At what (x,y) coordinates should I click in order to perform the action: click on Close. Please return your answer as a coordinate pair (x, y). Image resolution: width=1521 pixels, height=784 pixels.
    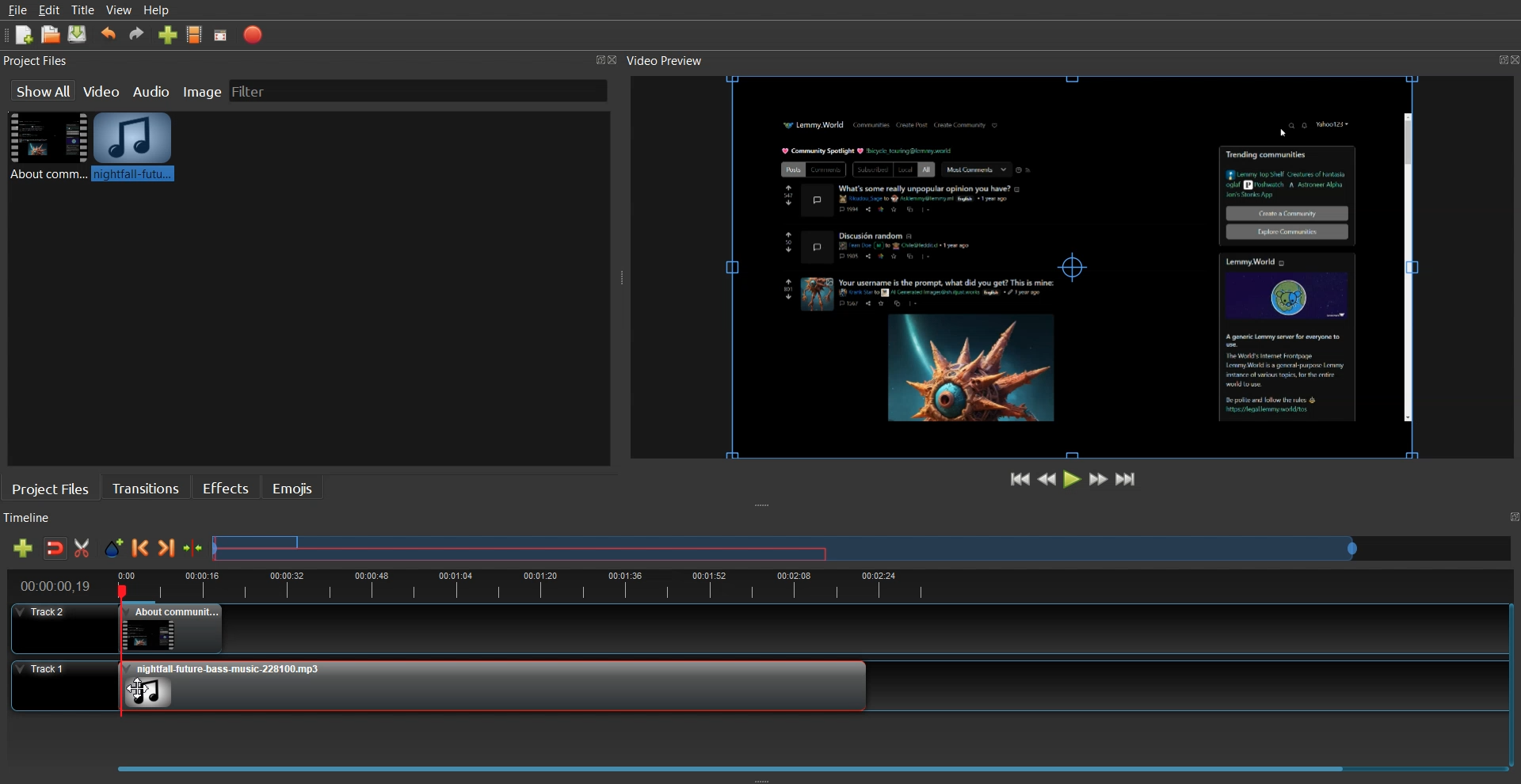
    Looking at the image, I should click on (1511, 59).